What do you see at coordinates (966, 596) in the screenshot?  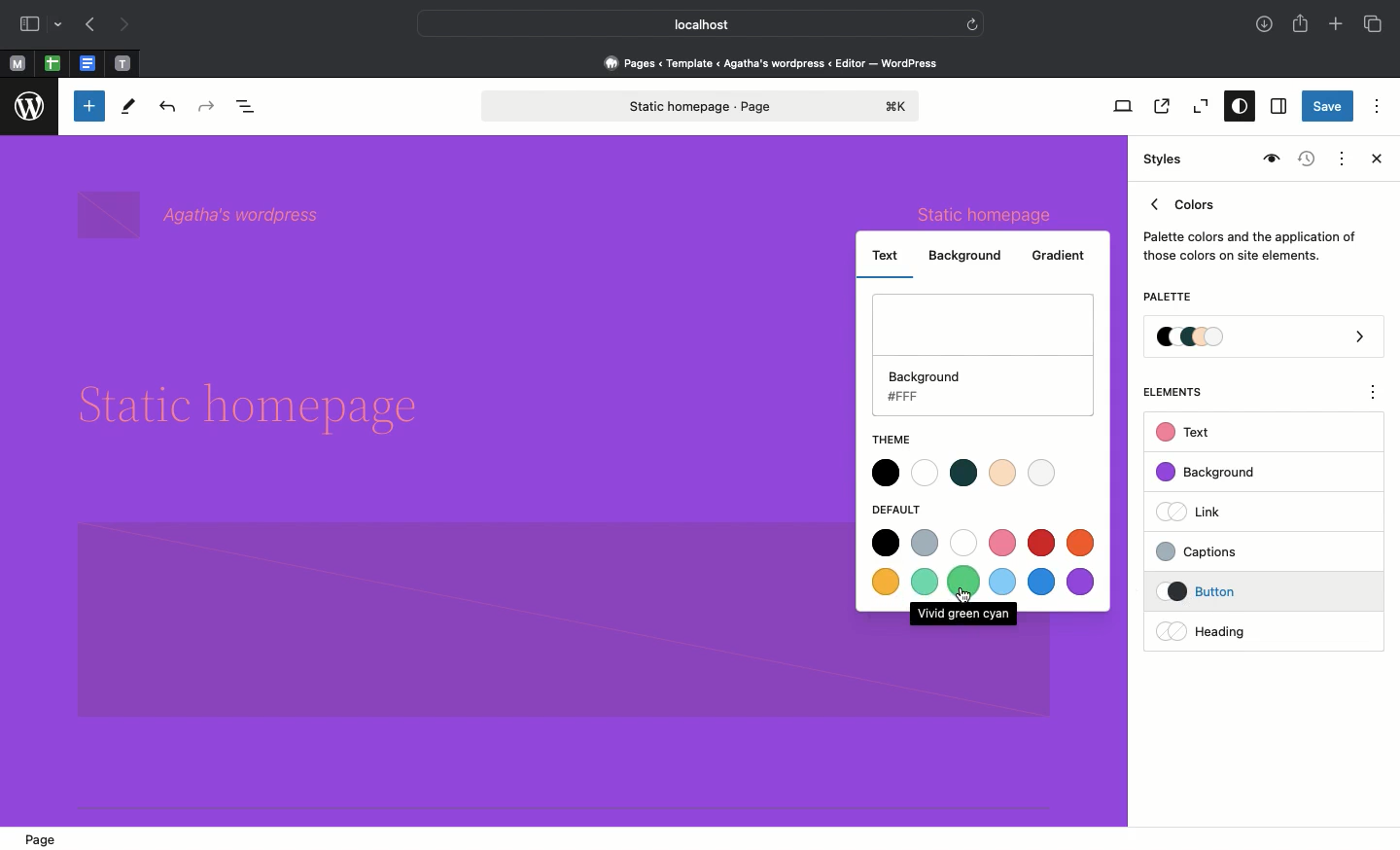 I see `cursor` at bounding box center [966, 596].